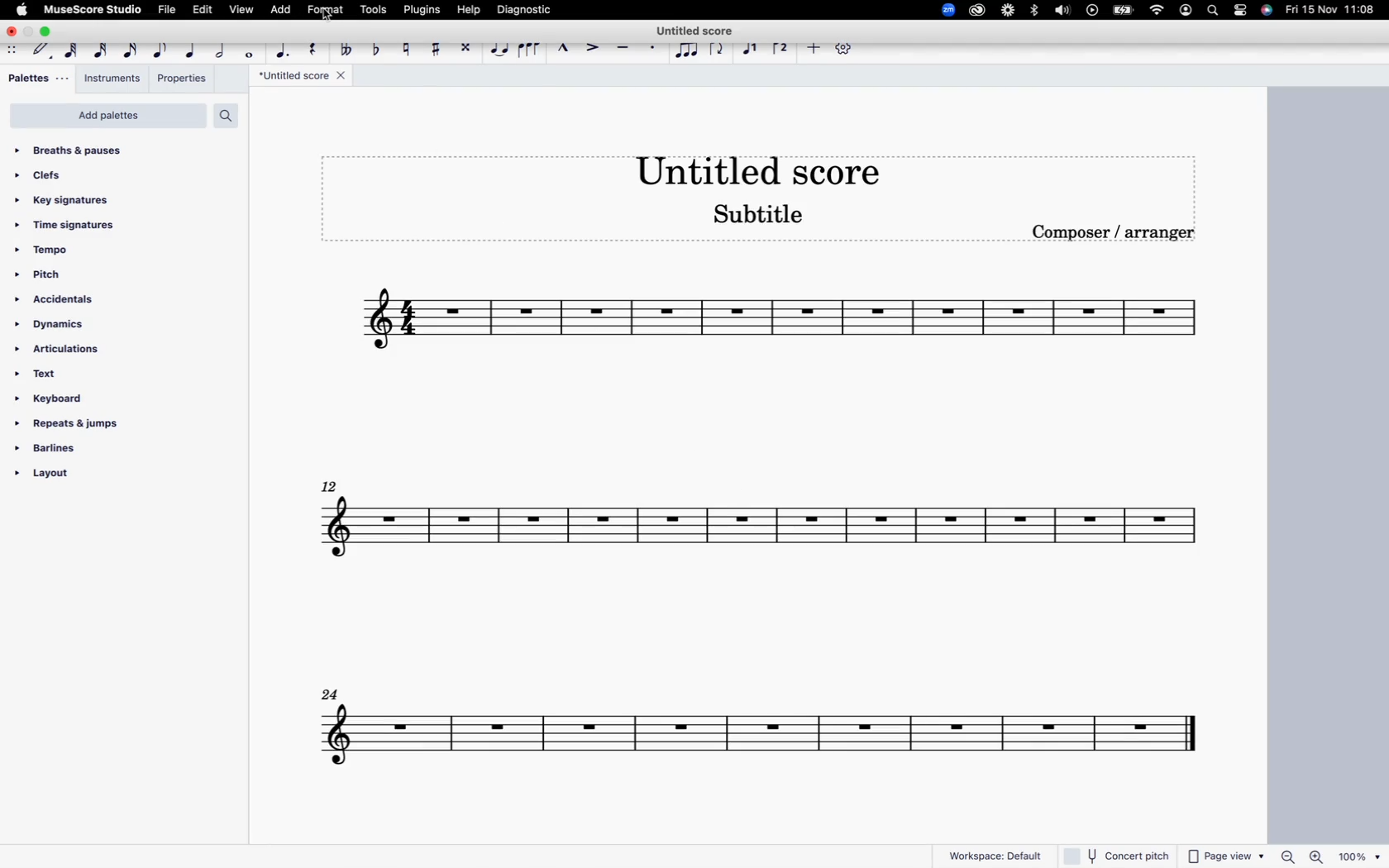 The height and width of the screenshot is (868, 1389). What do you see at coordinates (12, 32) in the screenshot?
I see `close` at bounding box center [12, 32].